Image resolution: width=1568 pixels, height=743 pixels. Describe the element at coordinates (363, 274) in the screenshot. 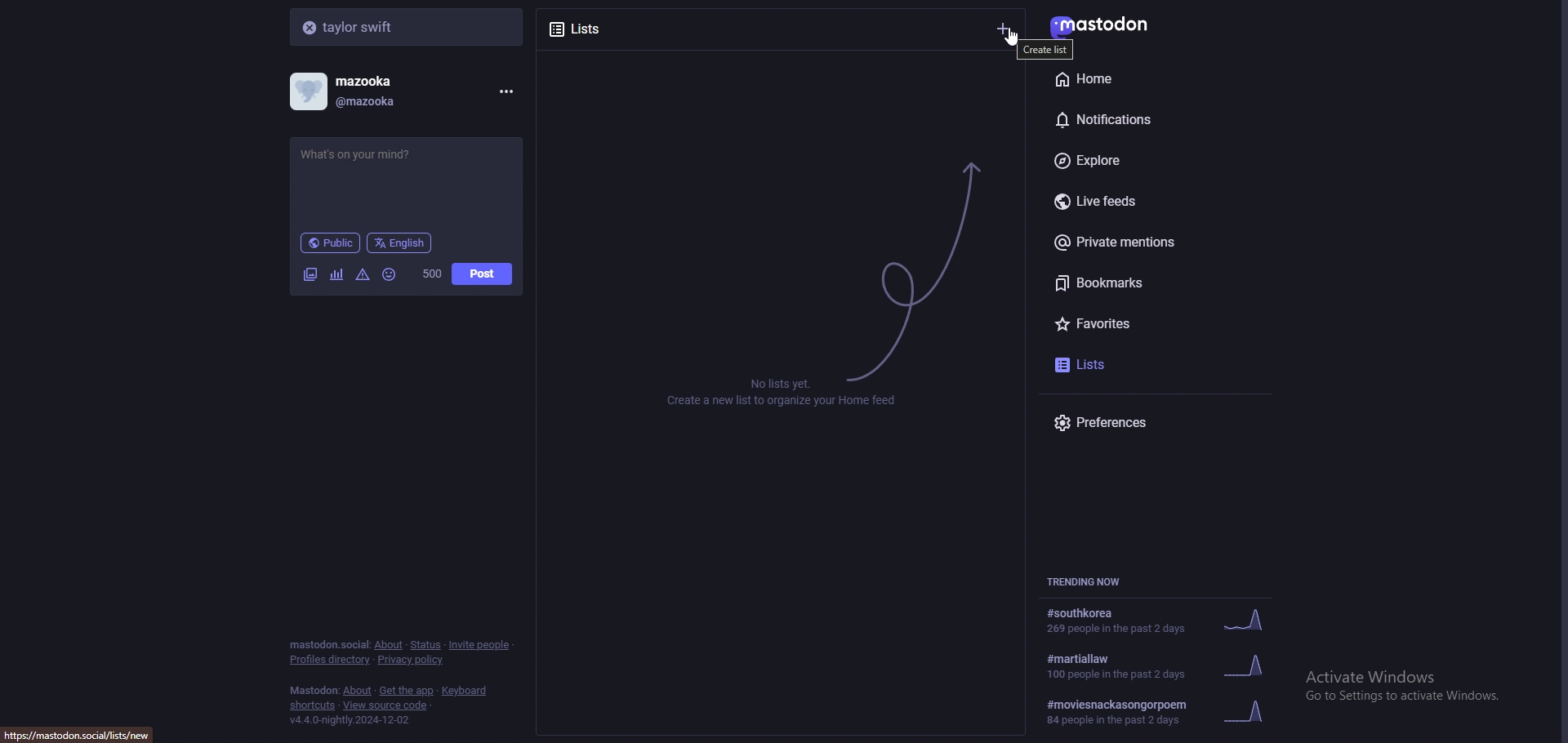

I see `warning` at that location.